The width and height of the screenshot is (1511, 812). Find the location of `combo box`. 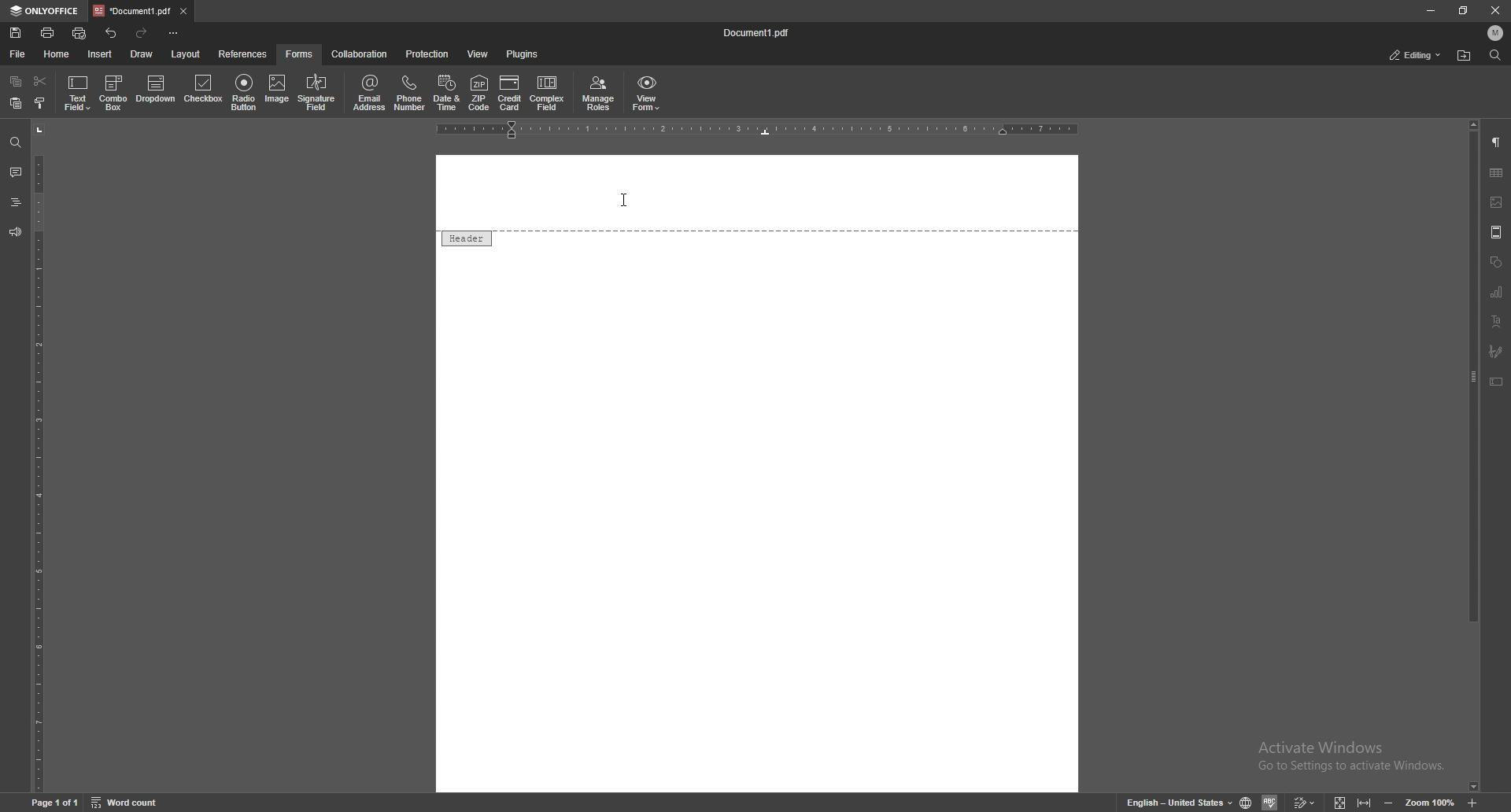

combo box is located at coordinates (114, 92).